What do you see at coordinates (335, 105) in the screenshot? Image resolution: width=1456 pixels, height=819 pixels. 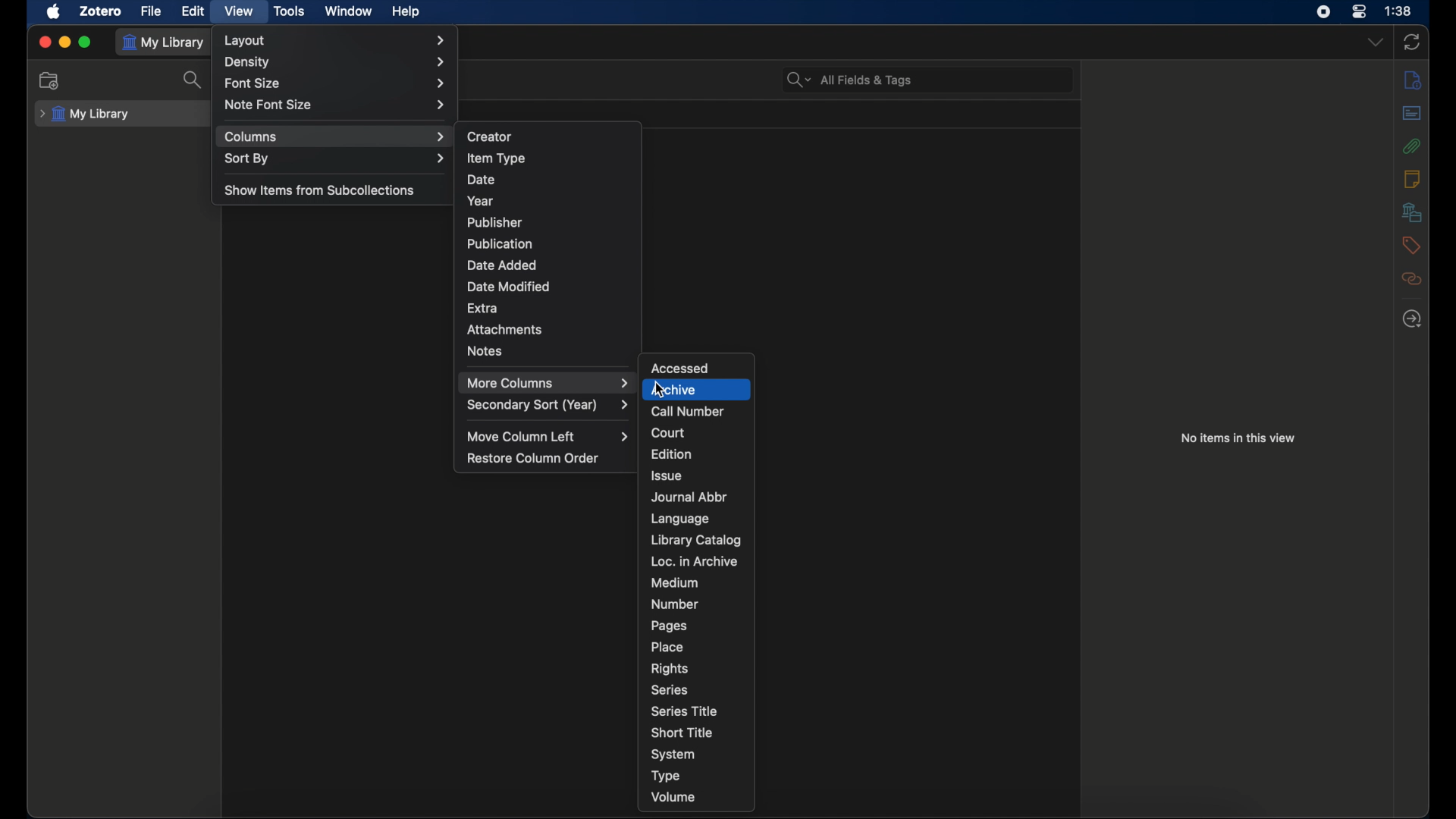 I see `note font size` at bounding box center [335, 105].